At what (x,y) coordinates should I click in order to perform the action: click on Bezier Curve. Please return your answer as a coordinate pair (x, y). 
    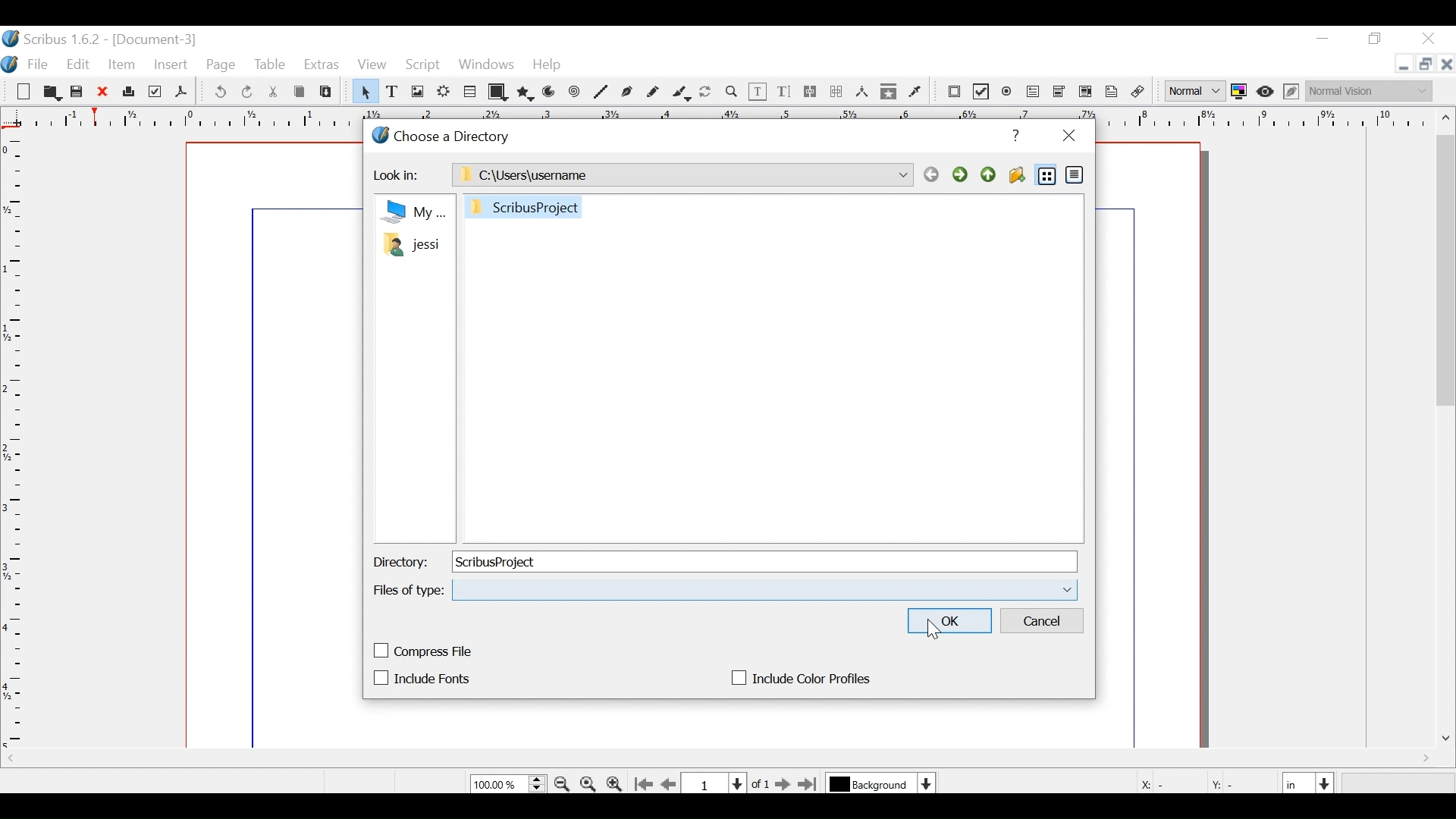
    Looking at the image, I should click on (627, 93).